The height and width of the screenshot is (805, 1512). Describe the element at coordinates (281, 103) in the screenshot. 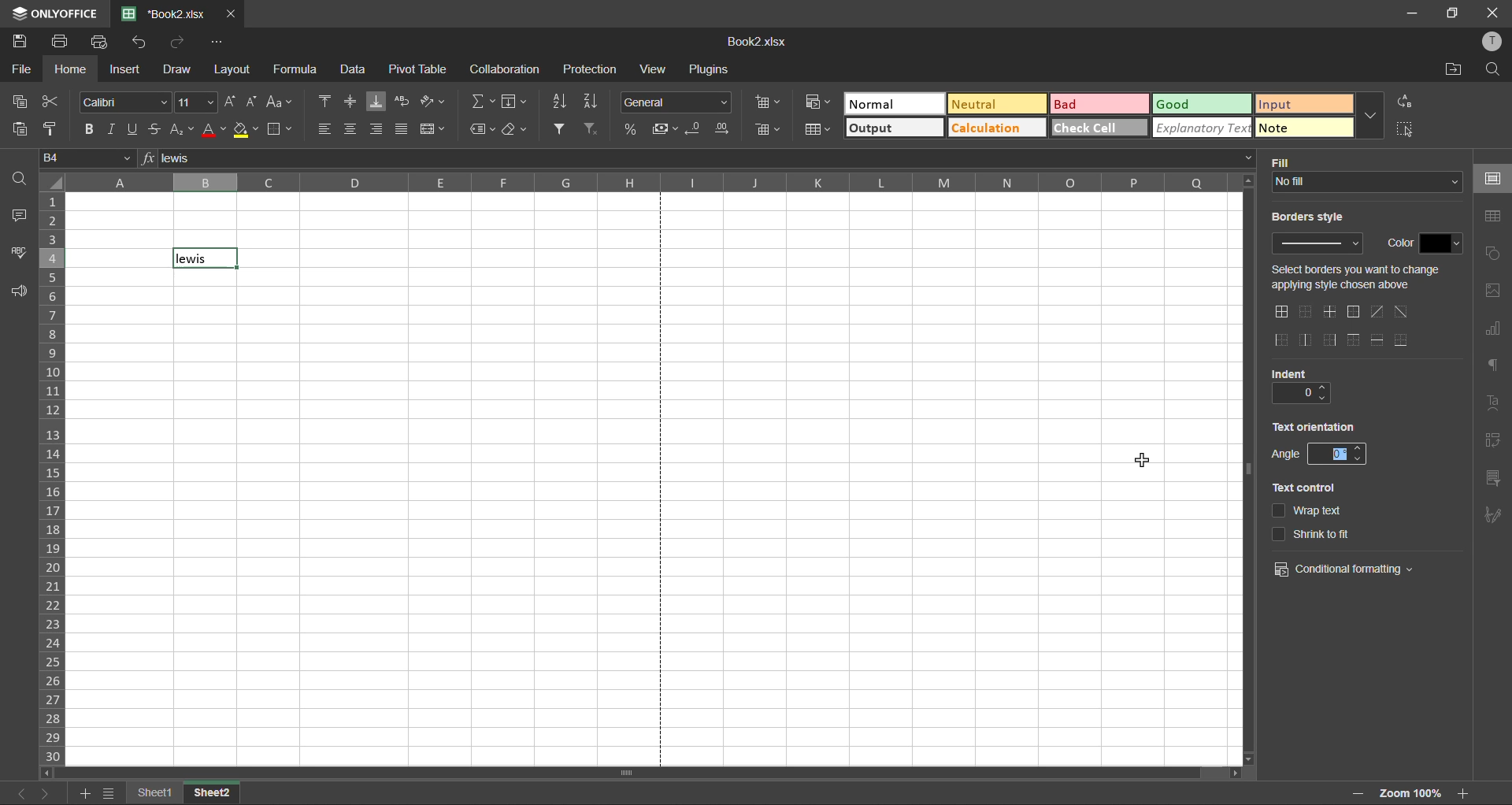

I see `change case` at that location.